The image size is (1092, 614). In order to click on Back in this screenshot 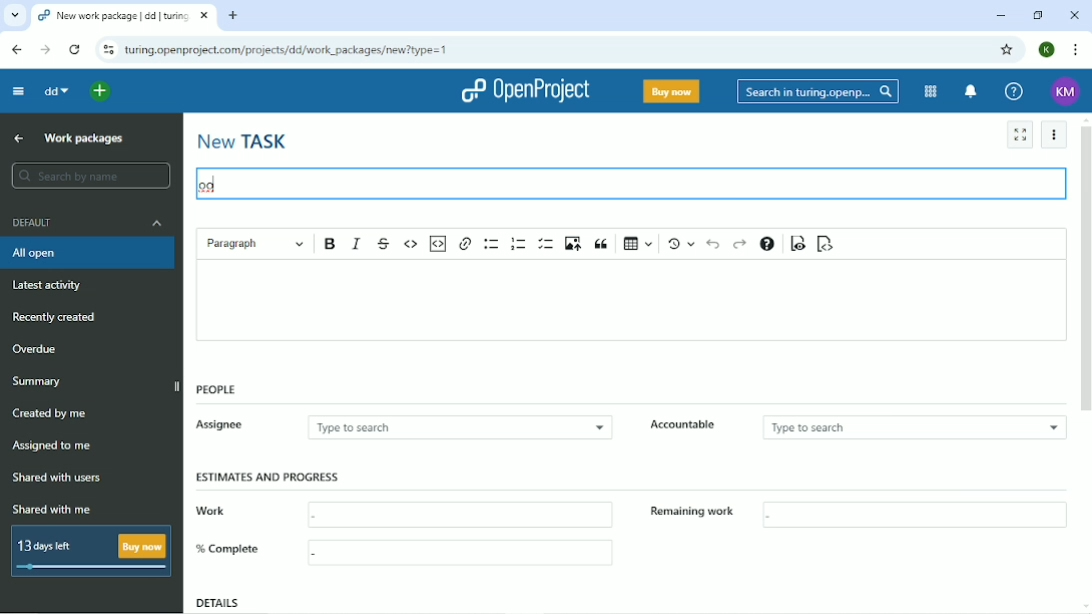, I will do `click(17, 49)`.